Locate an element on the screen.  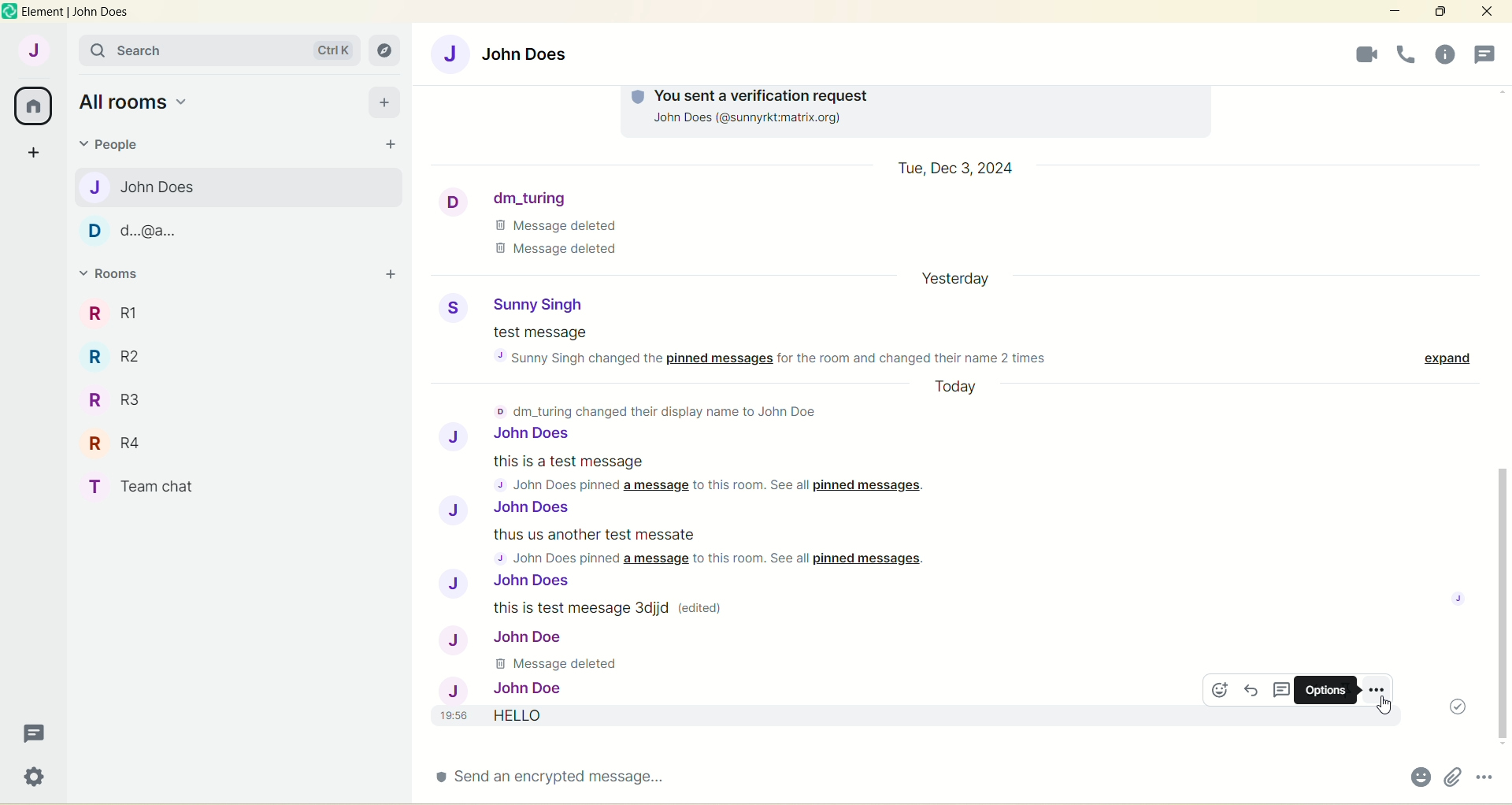
image profile is located at coordinates (1462, 598).